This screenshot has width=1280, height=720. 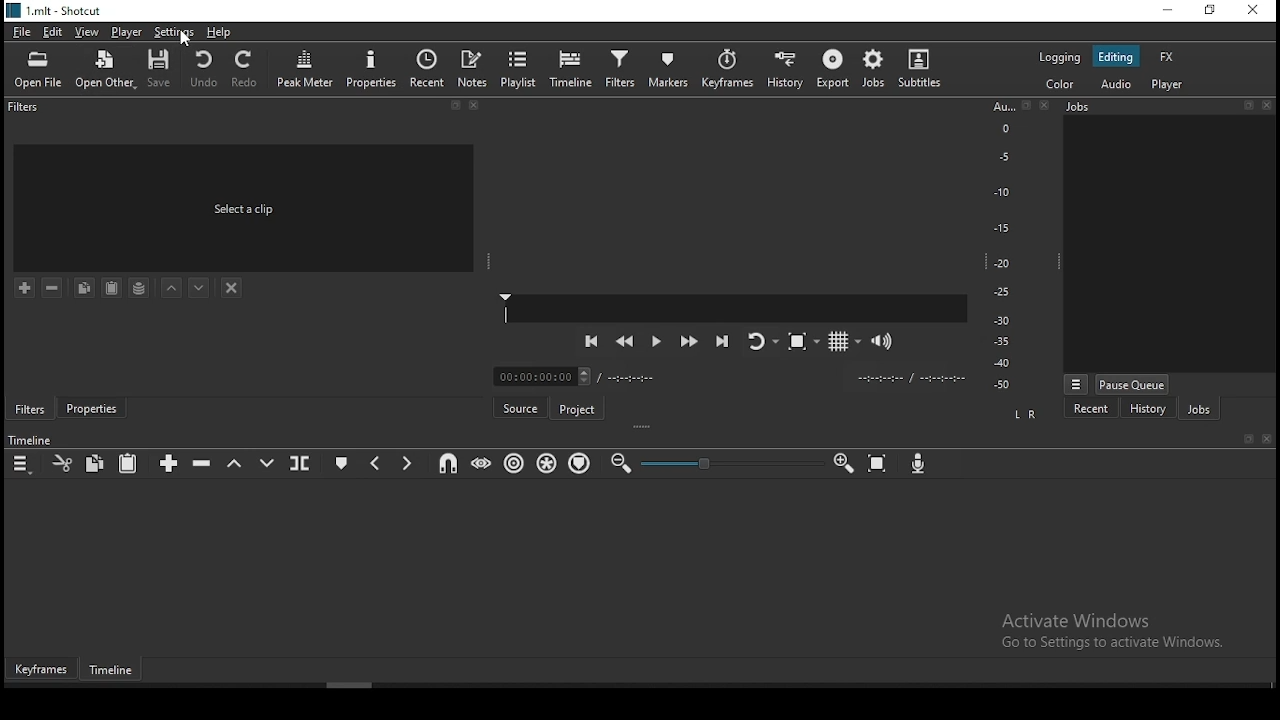 What do you see at coordinates (919, 465) in the screenshot?
I see `record audio` at bounding box center [919, 465].